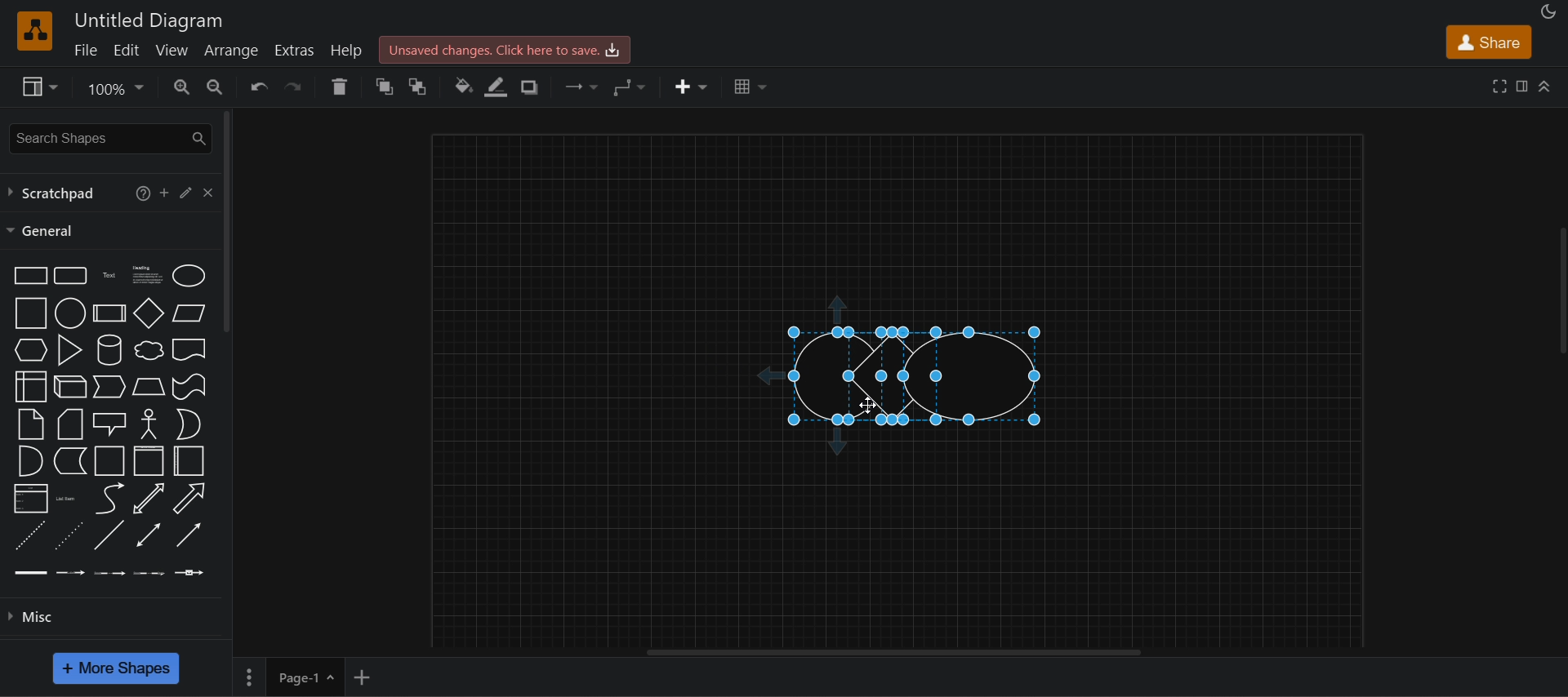 This screenshot has width=1568, height=697. I want to click on view, so click(38, 87).